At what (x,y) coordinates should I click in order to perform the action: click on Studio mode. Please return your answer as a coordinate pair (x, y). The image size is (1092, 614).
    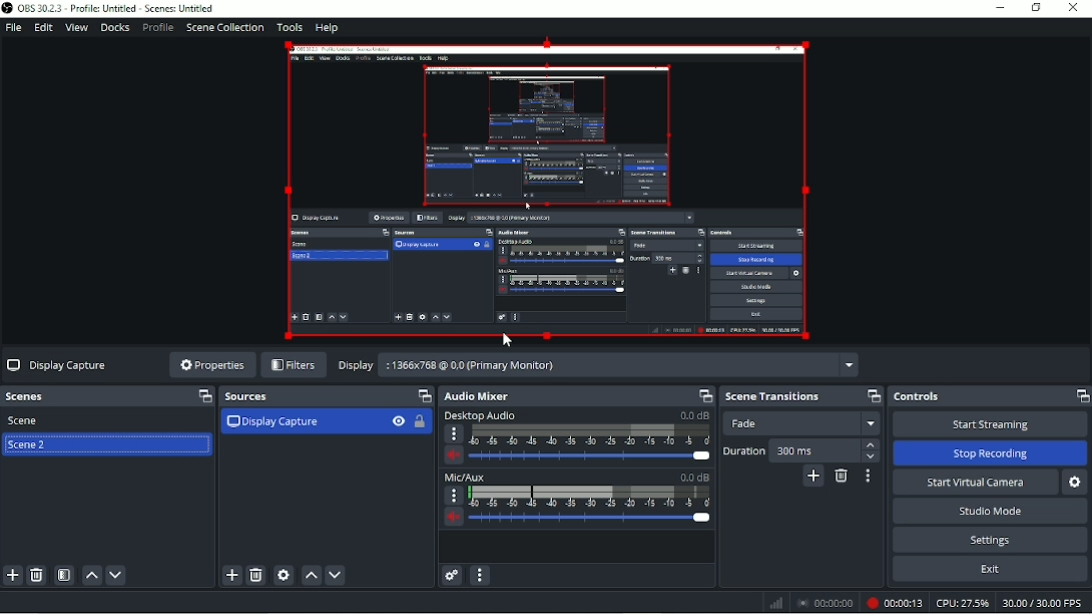
    Looking at the image, I should click on (990, 510).